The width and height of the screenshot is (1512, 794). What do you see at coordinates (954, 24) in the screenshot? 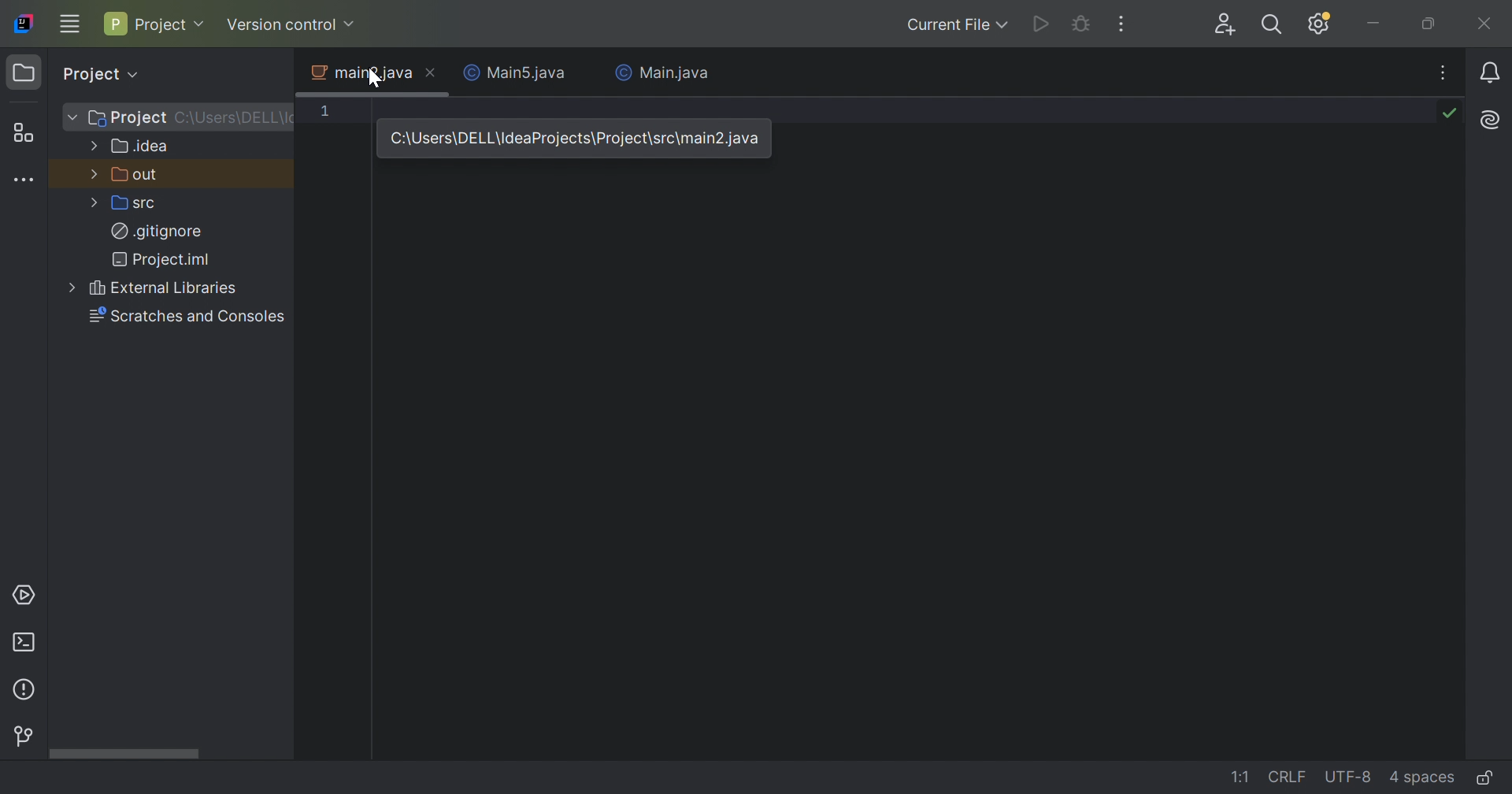
I see `Current file` at bounding box center [954, 24].